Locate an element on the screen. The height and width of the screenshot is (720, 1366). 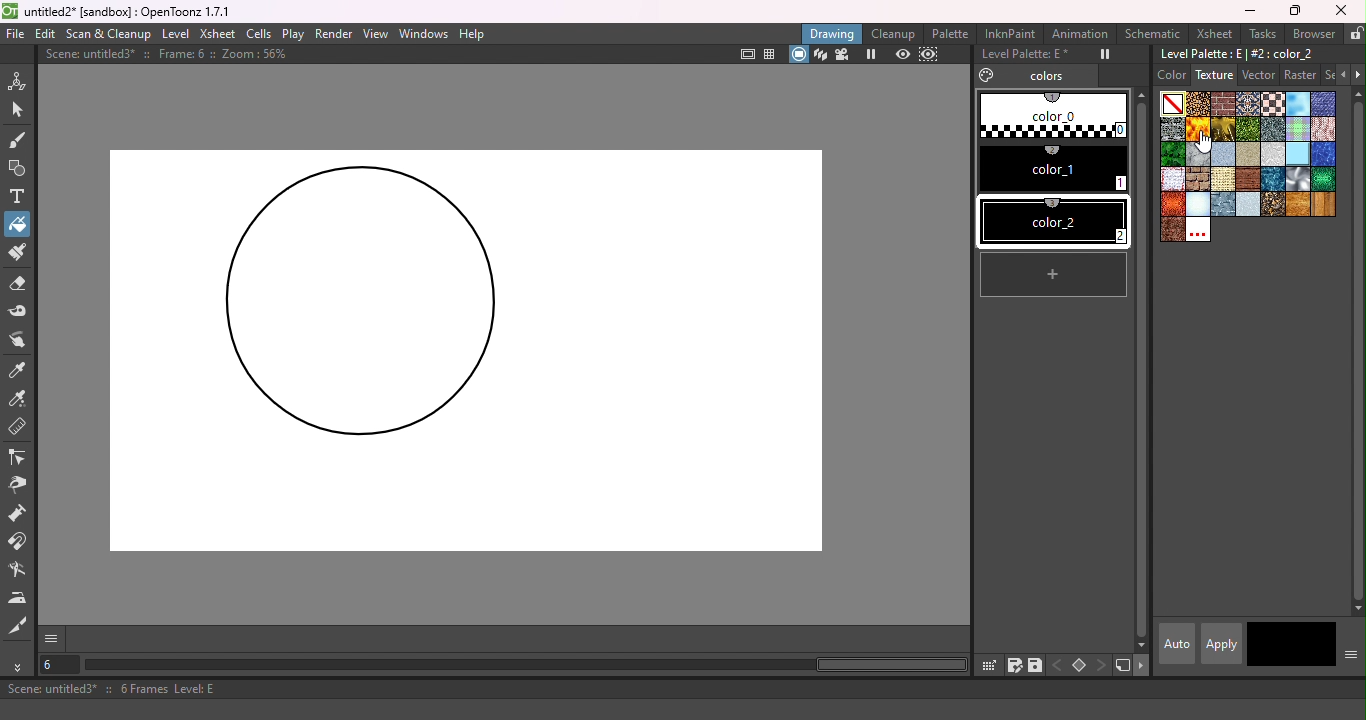
Cutter tool is located at coordinates (18, 627).